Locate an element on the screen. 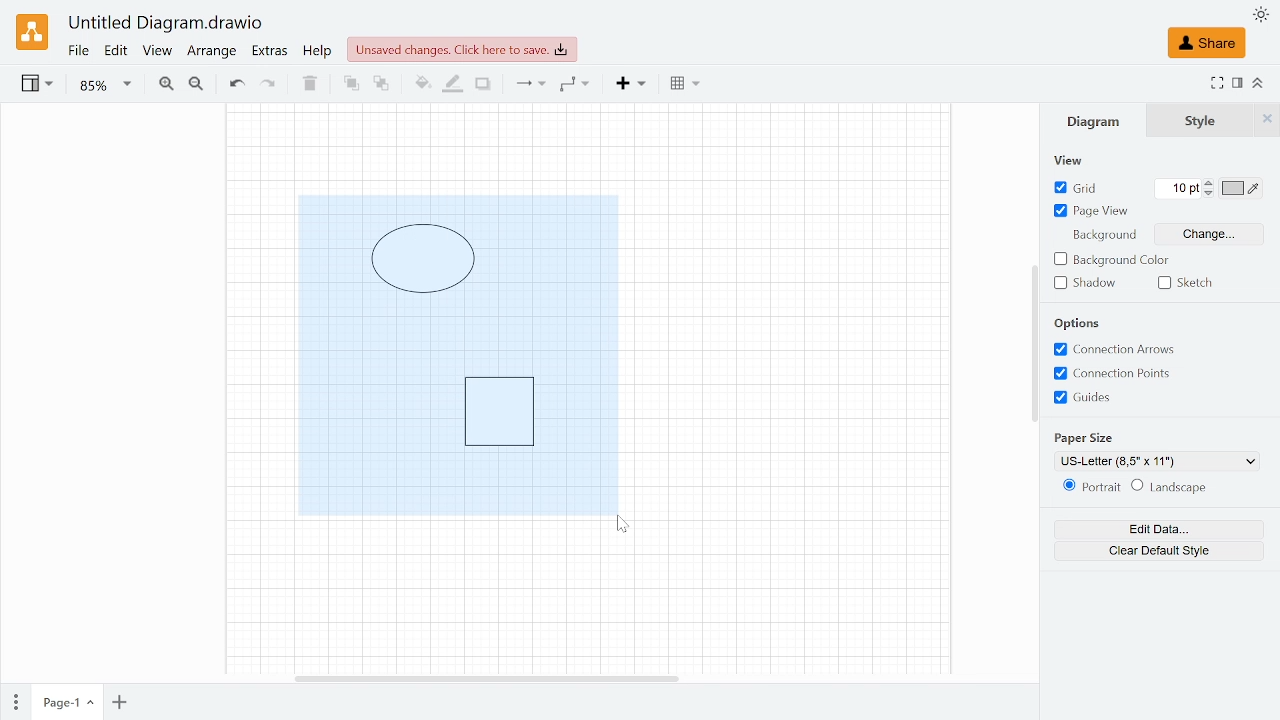 This screenshot has height=720, width=1280. Table is located at coordinates (685, 86).